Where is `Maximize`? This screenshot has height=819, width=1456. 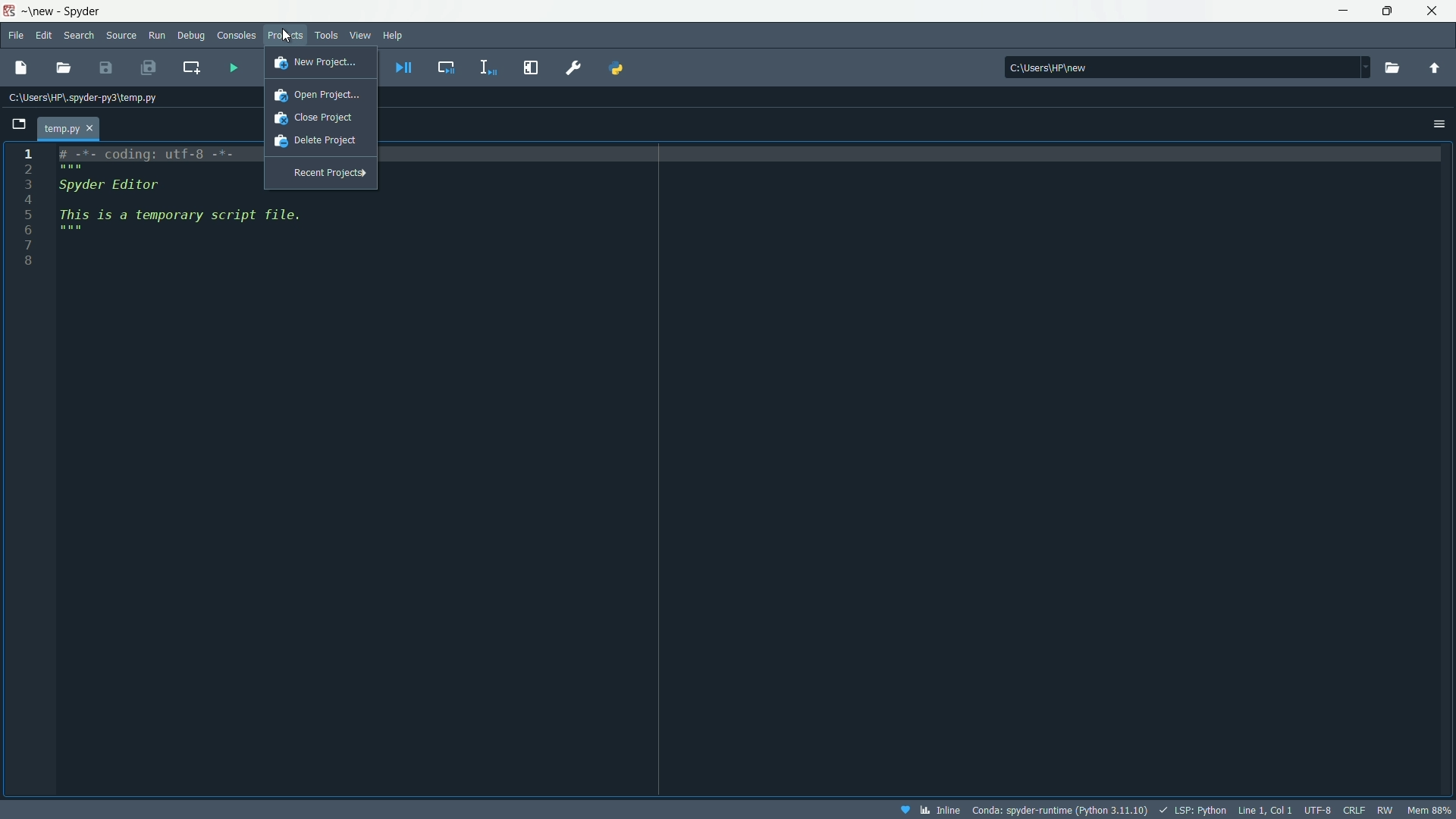 Maximize is located at coordinates (1386, 12).